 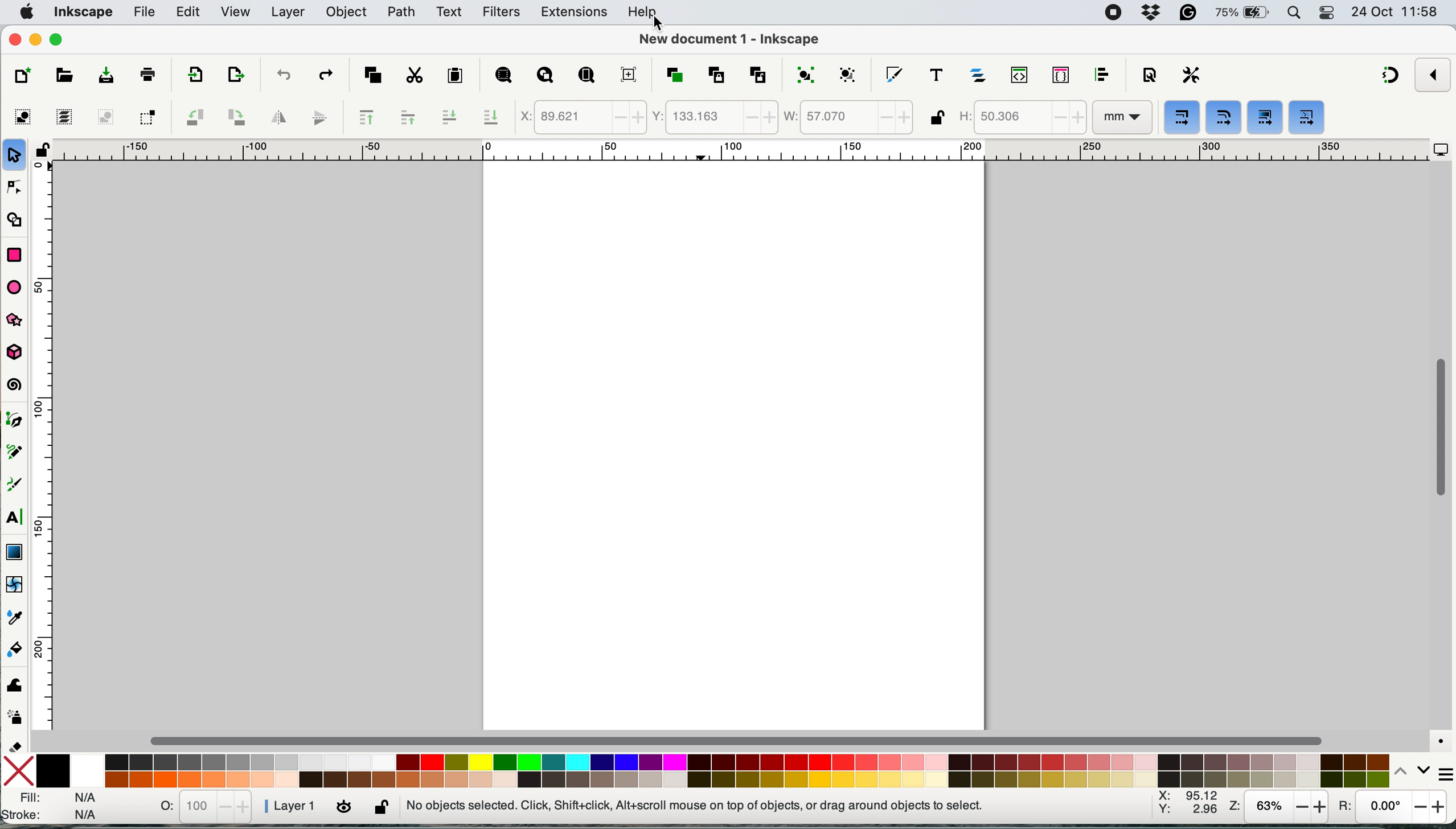 What do you see at coordinates (1328, 14) in the screenshot?
I see `control center` at bounding box center [1328, 14].